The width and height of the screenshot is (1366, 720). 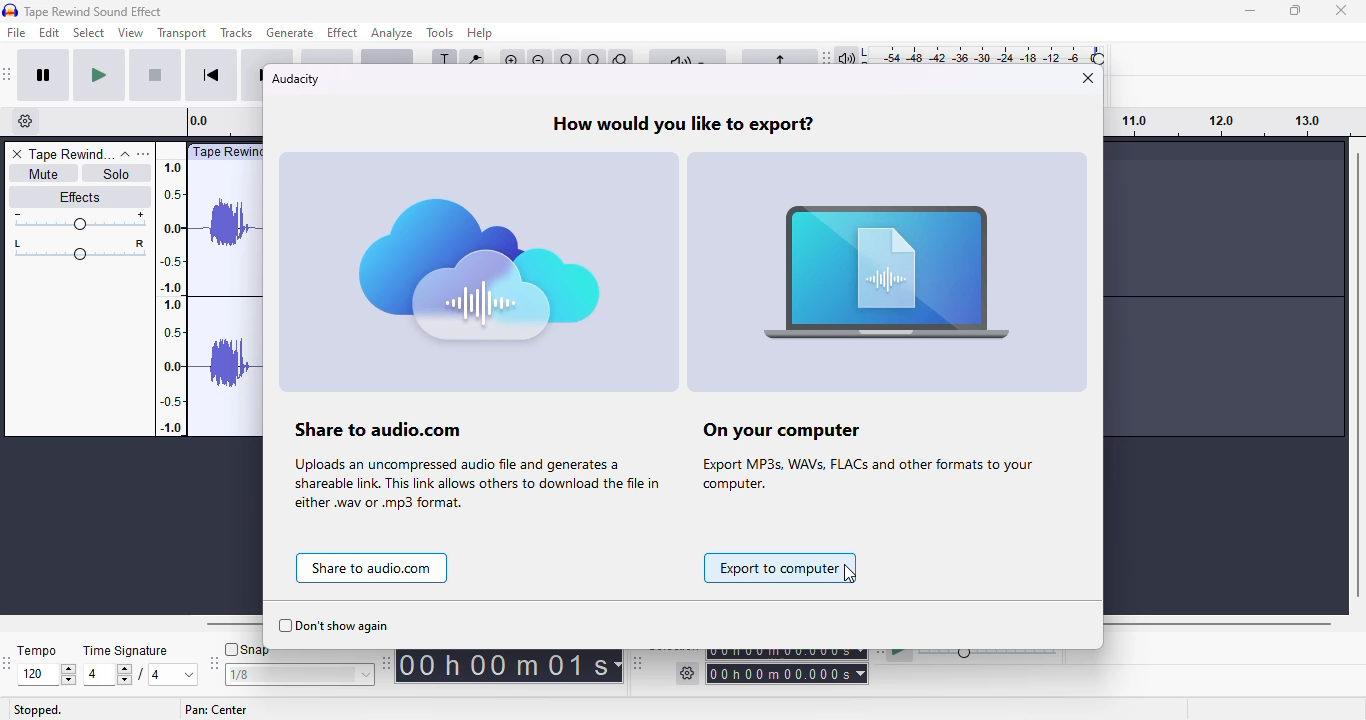 What do you see at coordinates (342, 32) in the screenshot?
I see `effect` at bounding box center [342, 32].